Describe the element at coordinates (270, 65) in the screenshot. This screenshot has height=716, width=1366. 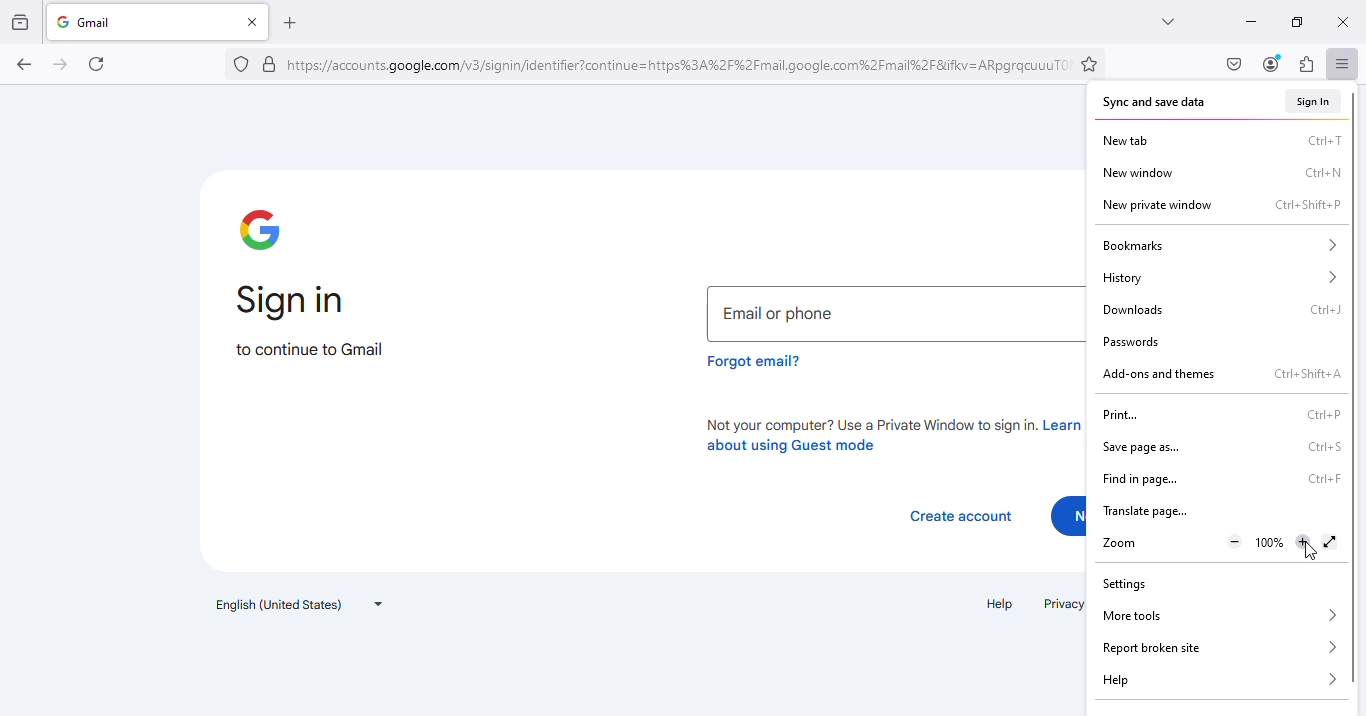
I see `verified by: google trust services` at that location.